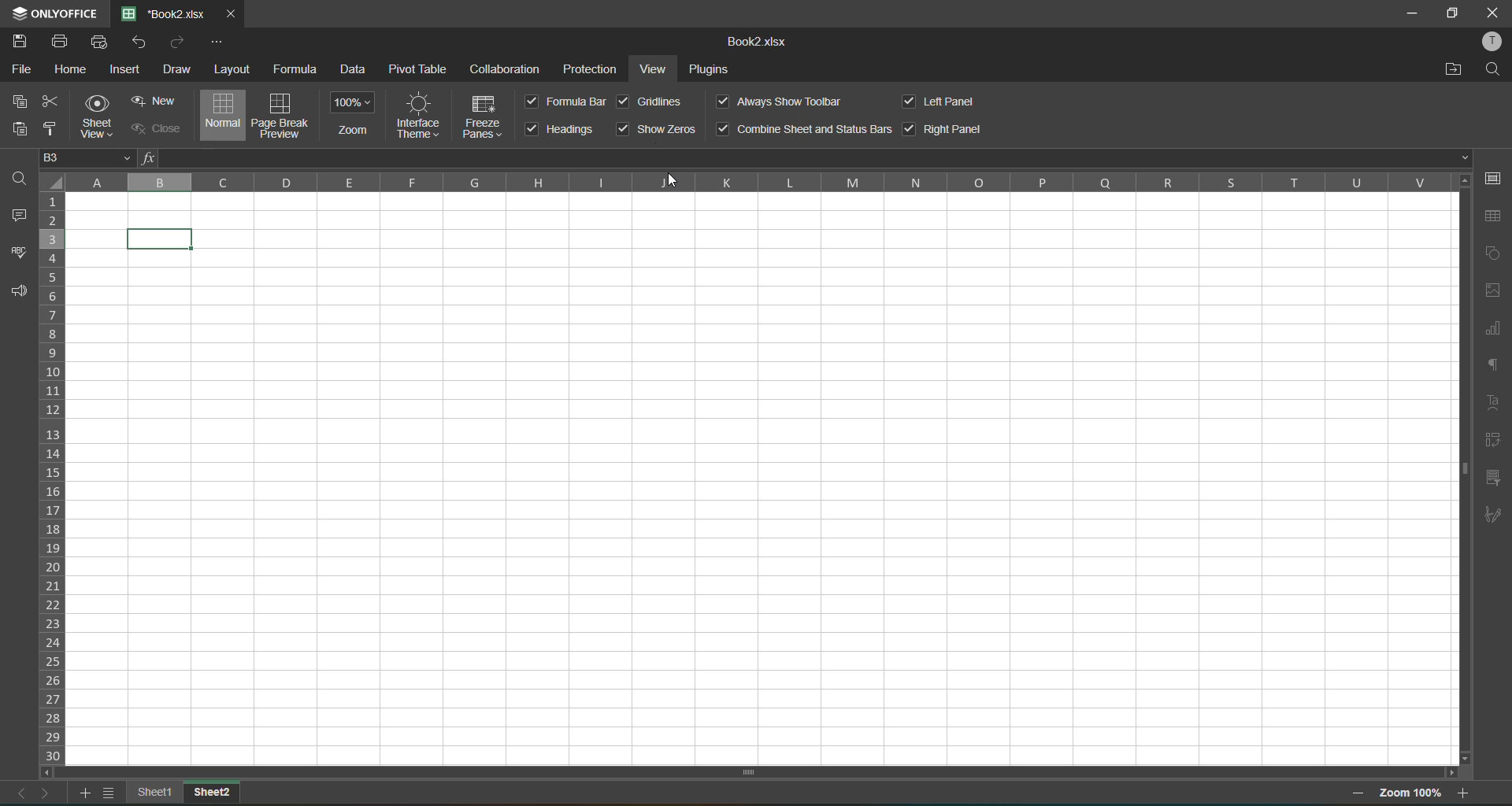 The image size is (1512, 806). What do you see at coordinates (165, 13) in the screenshot?
I see `book2.xlsx` at bounding box center [165, 13].